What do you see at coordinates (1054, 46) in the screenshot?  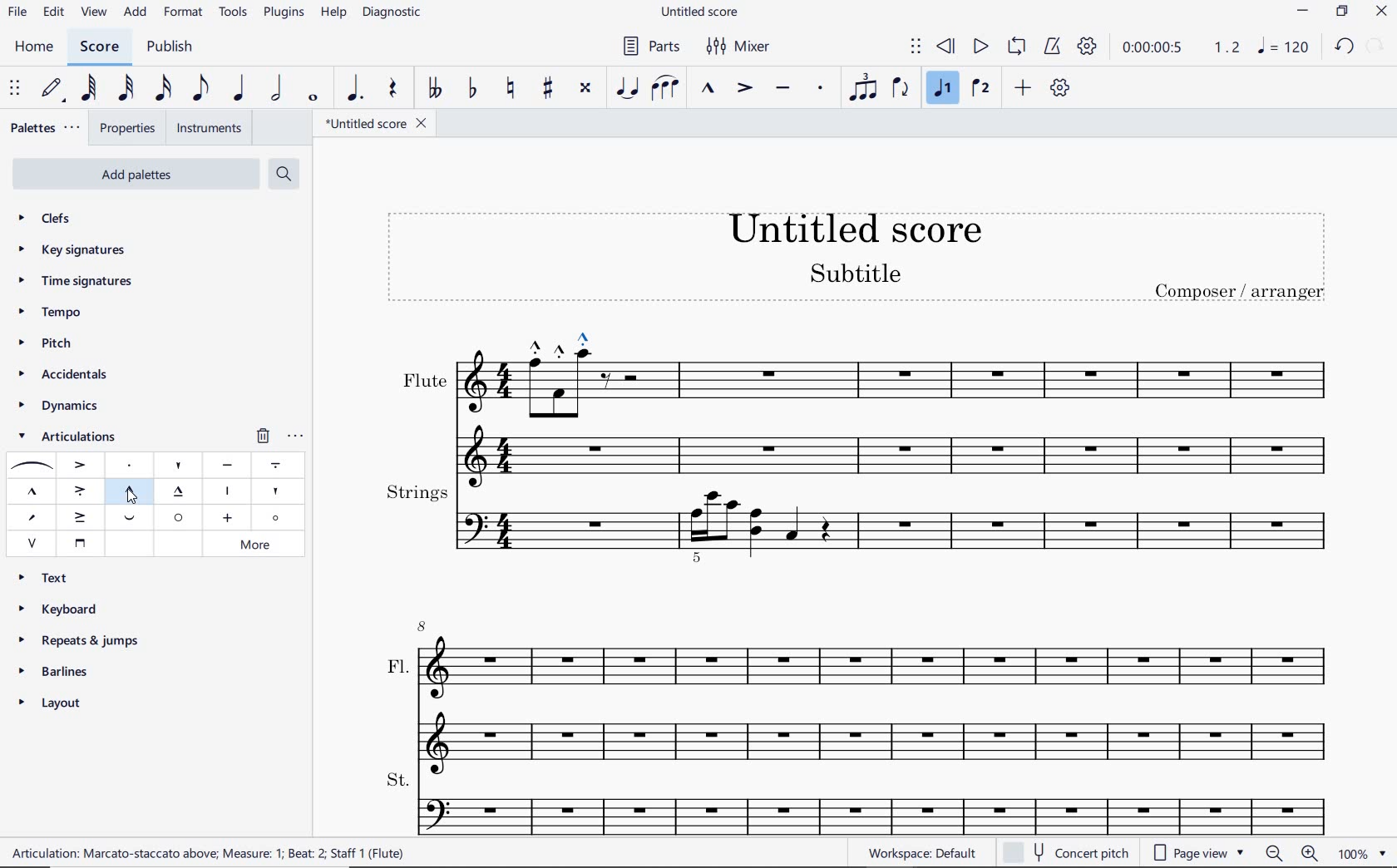 I see `METRONOME` at bounding box center [1054, 46].